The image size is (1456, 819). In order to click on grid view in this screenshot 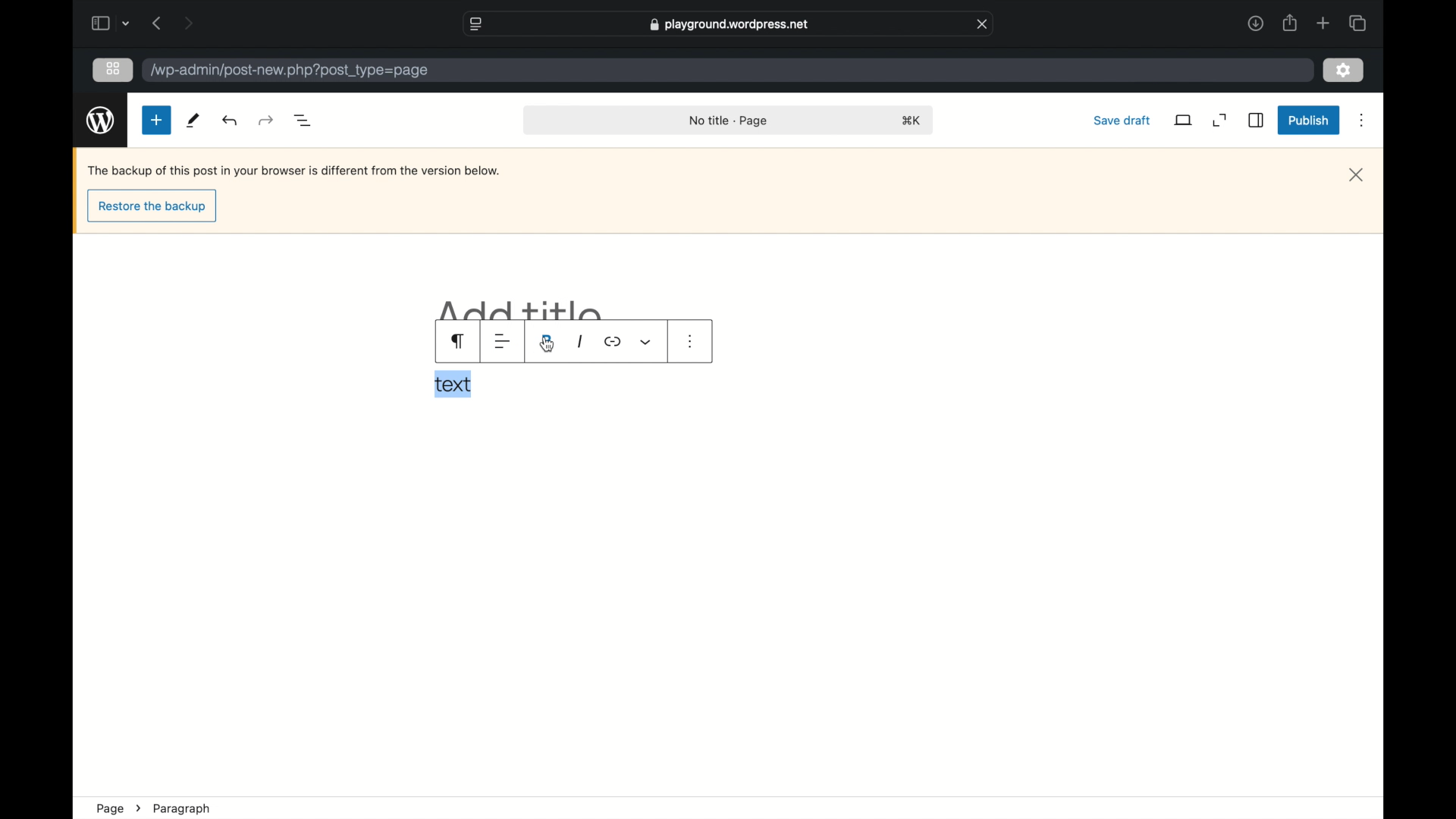, I will do `click(113, 69)`.